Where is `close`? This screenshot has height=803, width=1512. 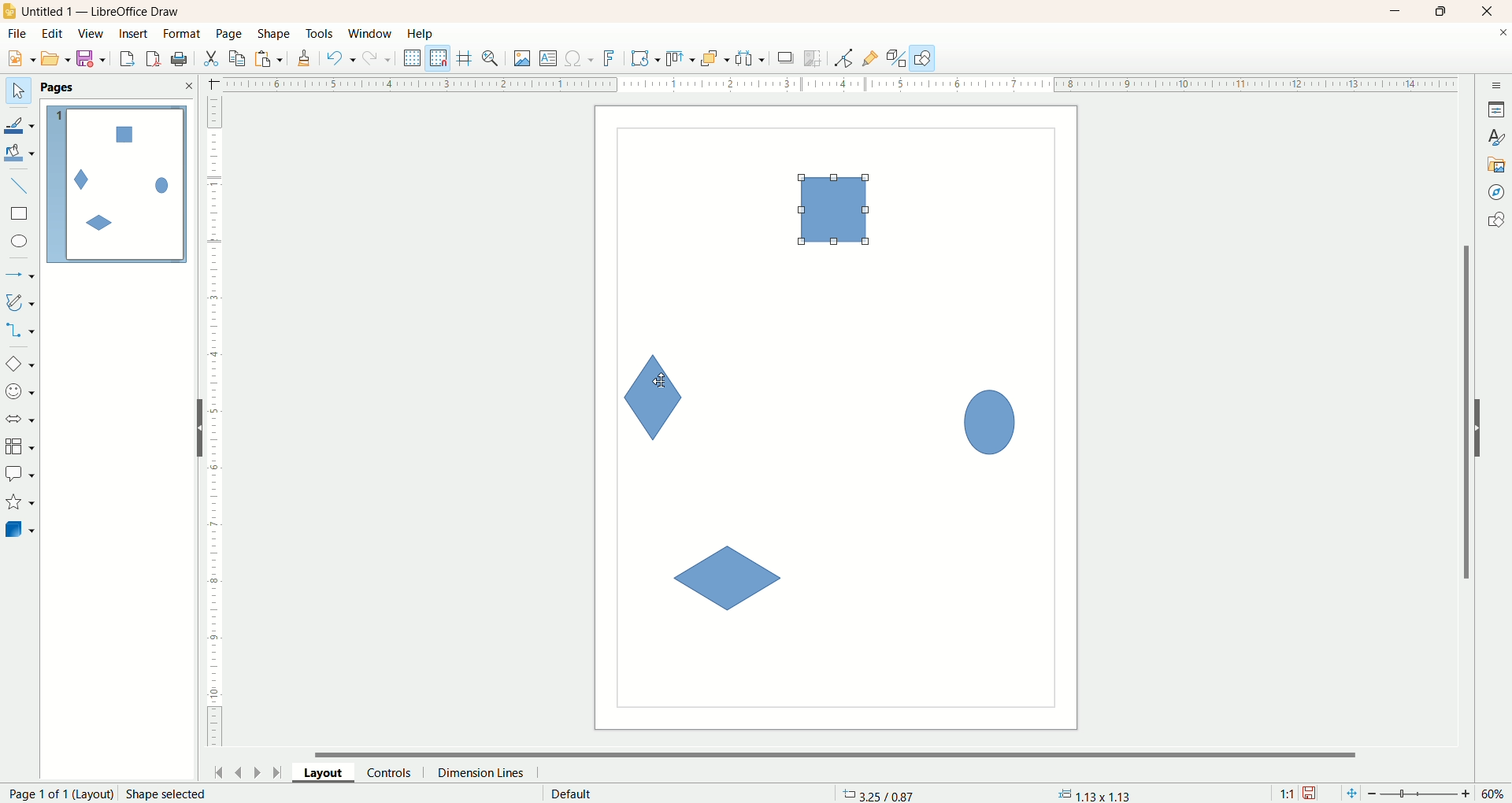 close is located at coordinates (188, 86).